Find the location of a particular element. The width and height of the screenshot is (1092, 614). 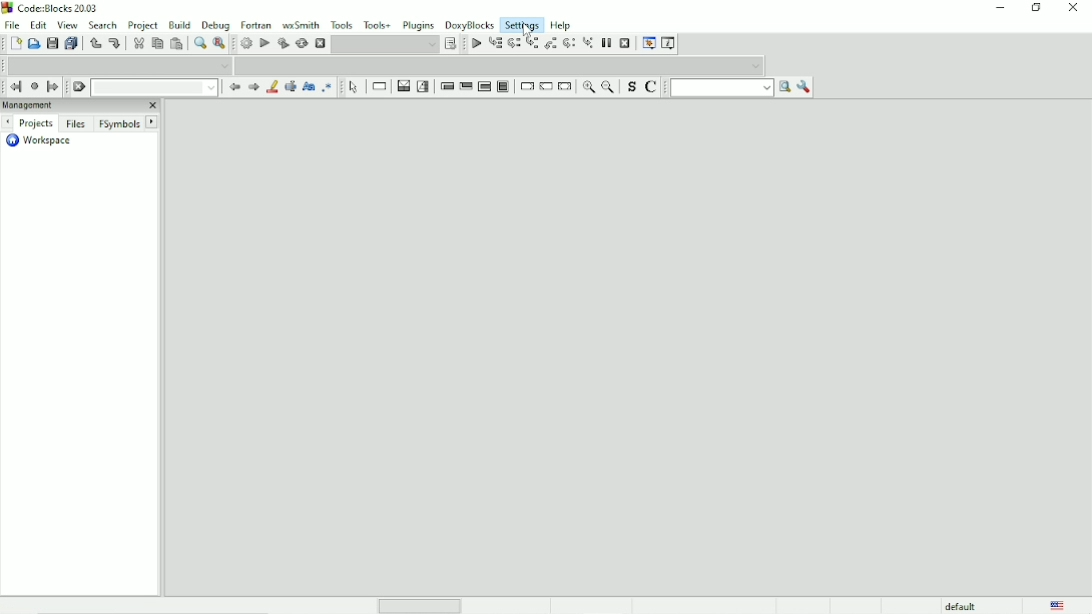

Debug is located at coordinates (214, 24).